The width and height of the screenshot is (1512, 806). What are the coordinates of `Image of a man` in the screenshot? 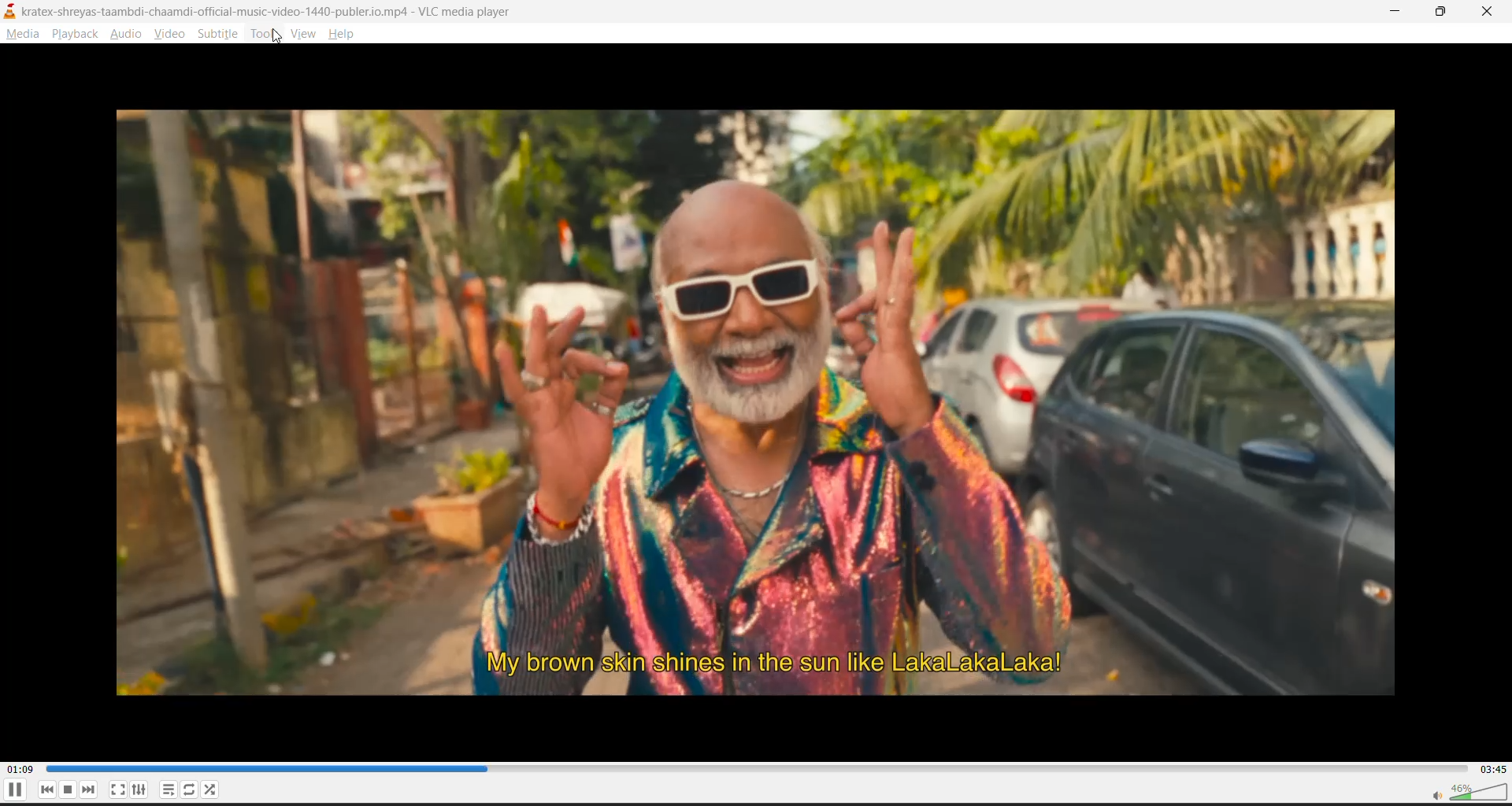 It's located at (762, 345).